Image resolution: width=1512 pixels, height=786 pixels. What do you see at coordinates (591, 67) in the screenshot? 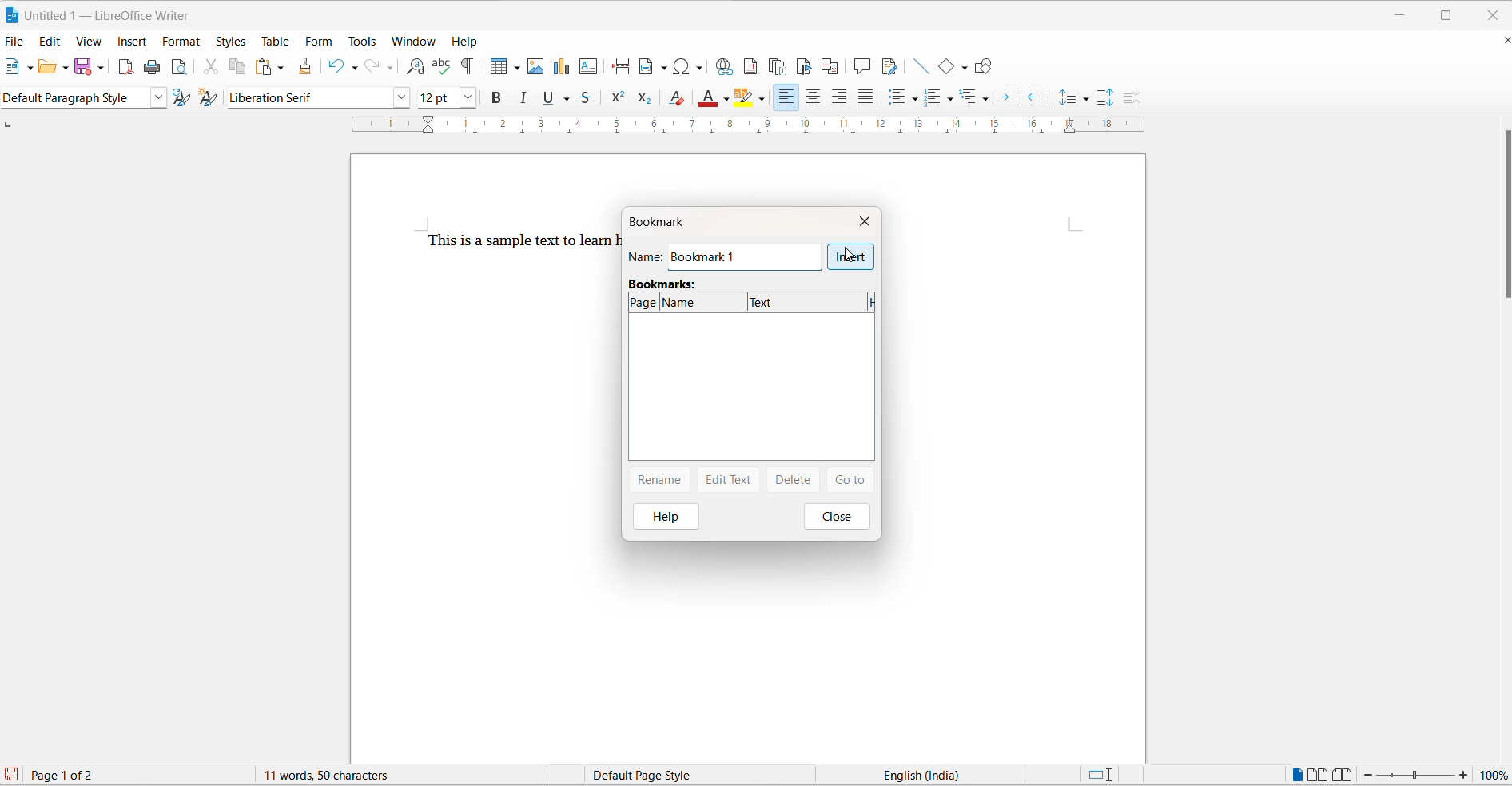
I see `add text` at bounding box center [591, 67].